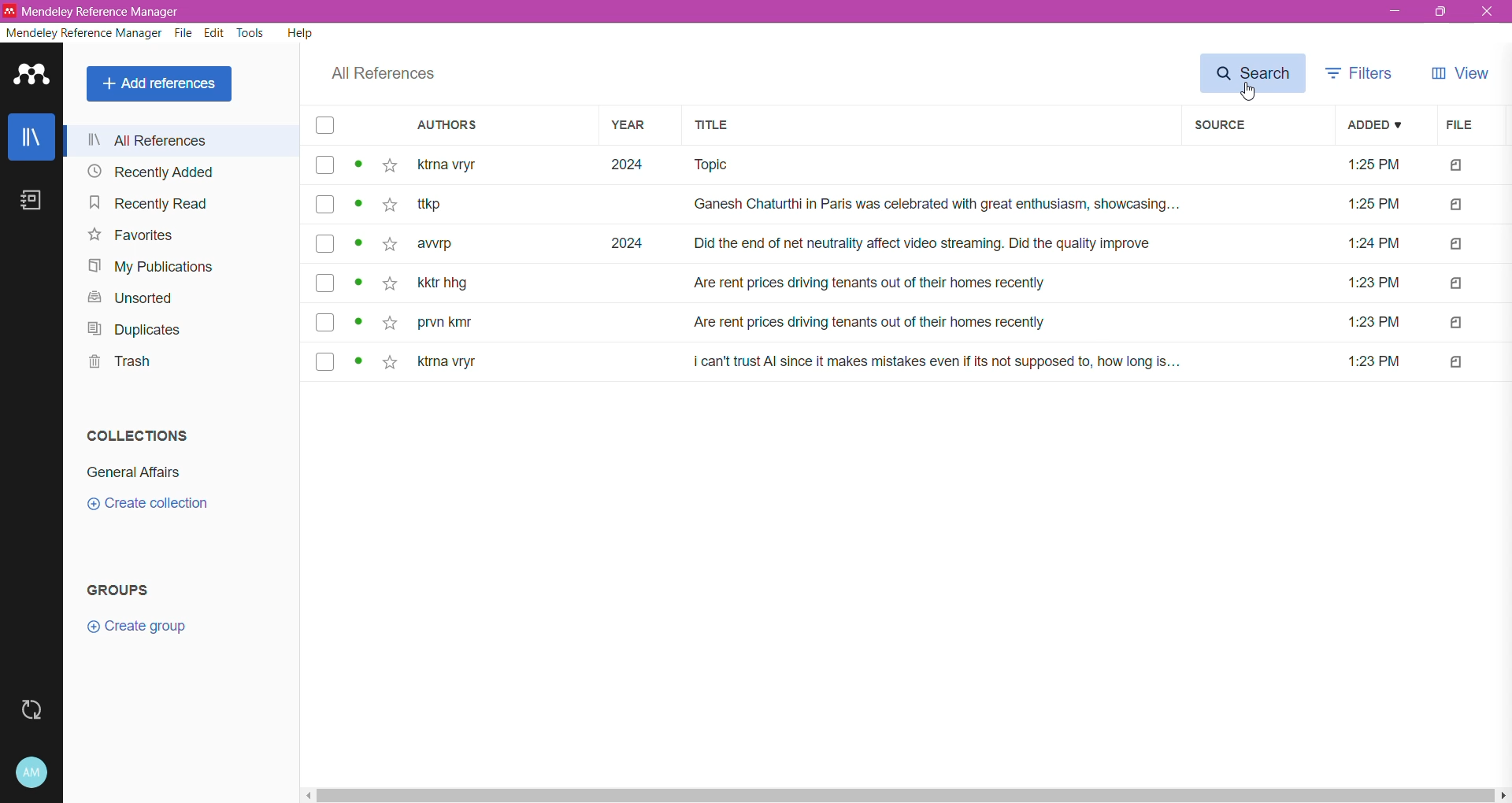  I want to click on select file, so click(324, 284).